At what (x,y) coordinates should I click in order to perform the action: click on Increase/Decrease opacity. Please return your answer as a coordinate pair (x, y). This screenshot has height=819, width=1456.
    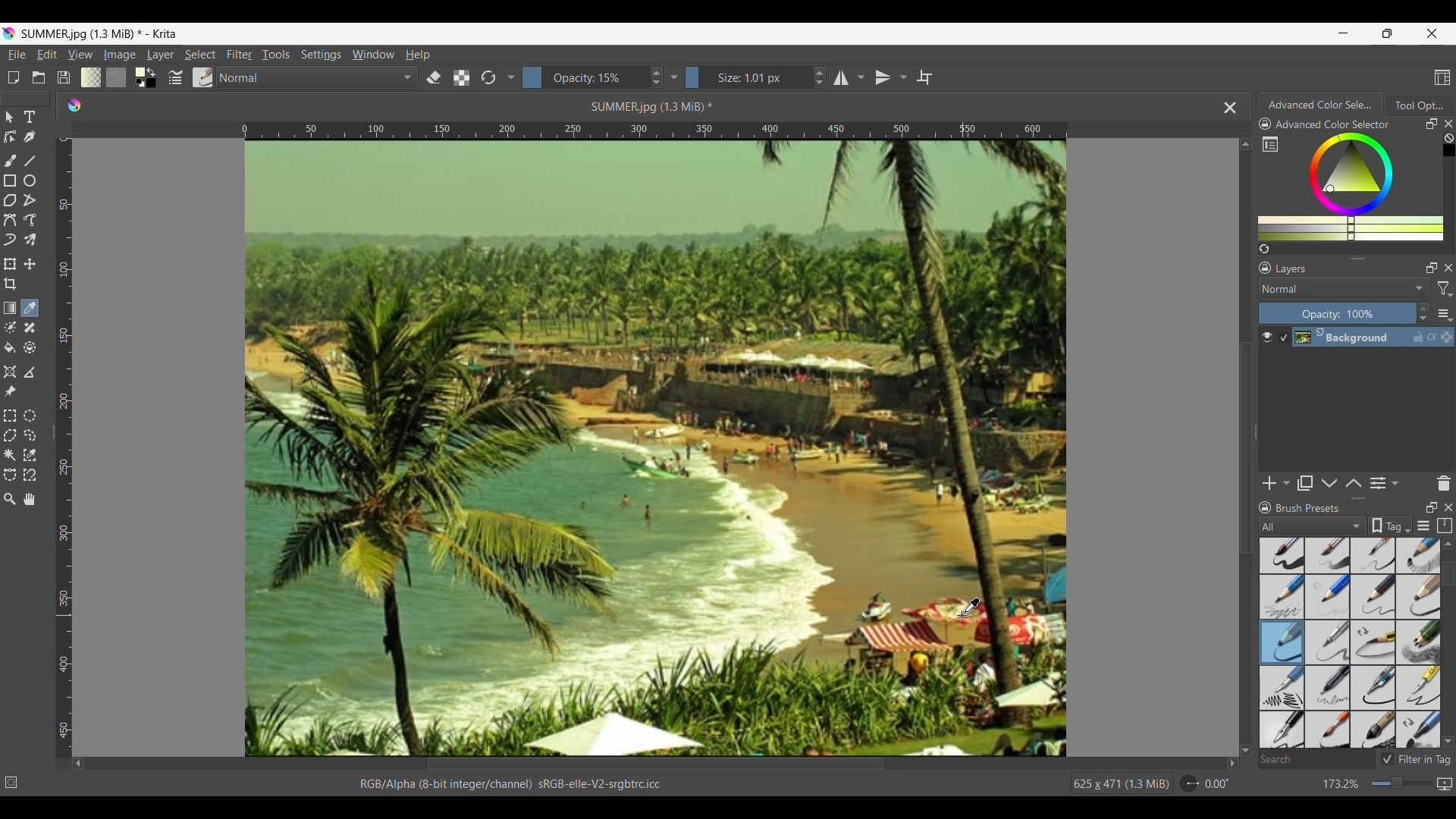
    Looking at the image, I should click on (1423, 314).